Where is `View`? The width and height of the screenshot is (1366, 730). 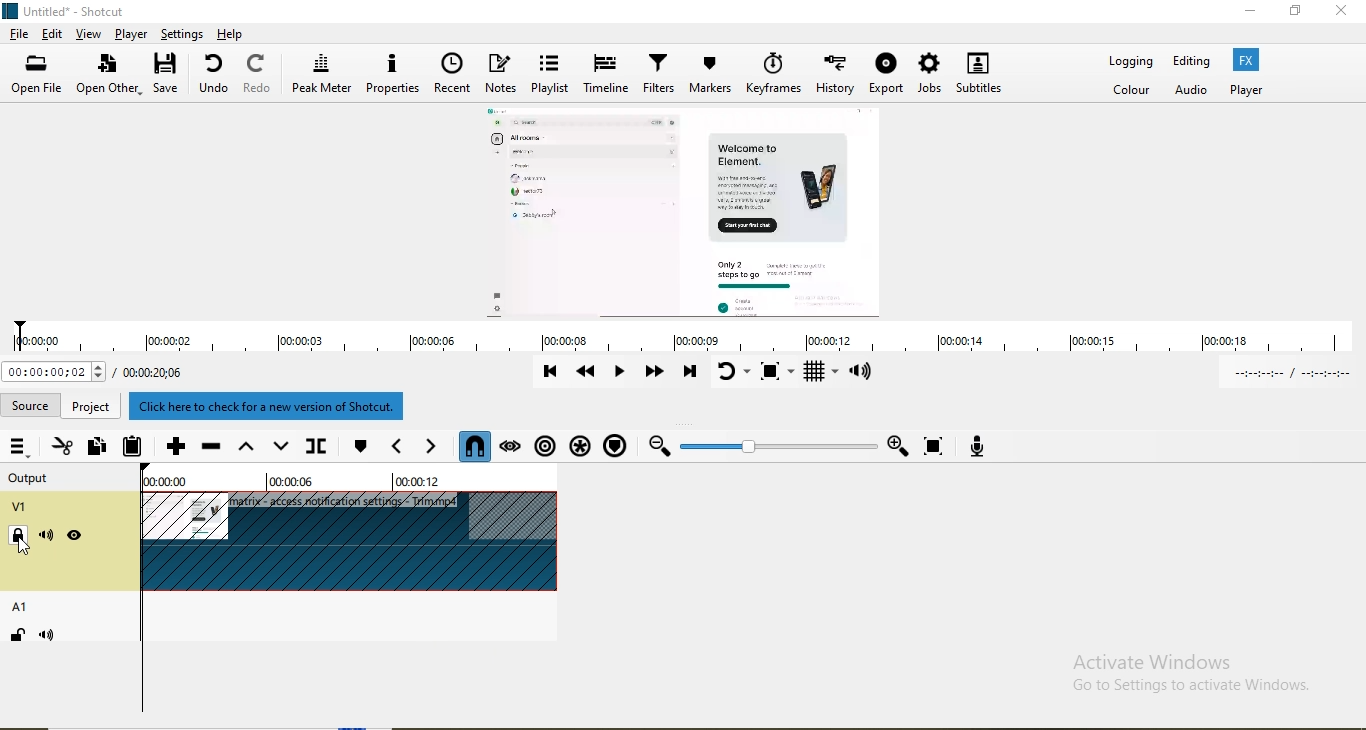
View is located at coordinates (89, 35).